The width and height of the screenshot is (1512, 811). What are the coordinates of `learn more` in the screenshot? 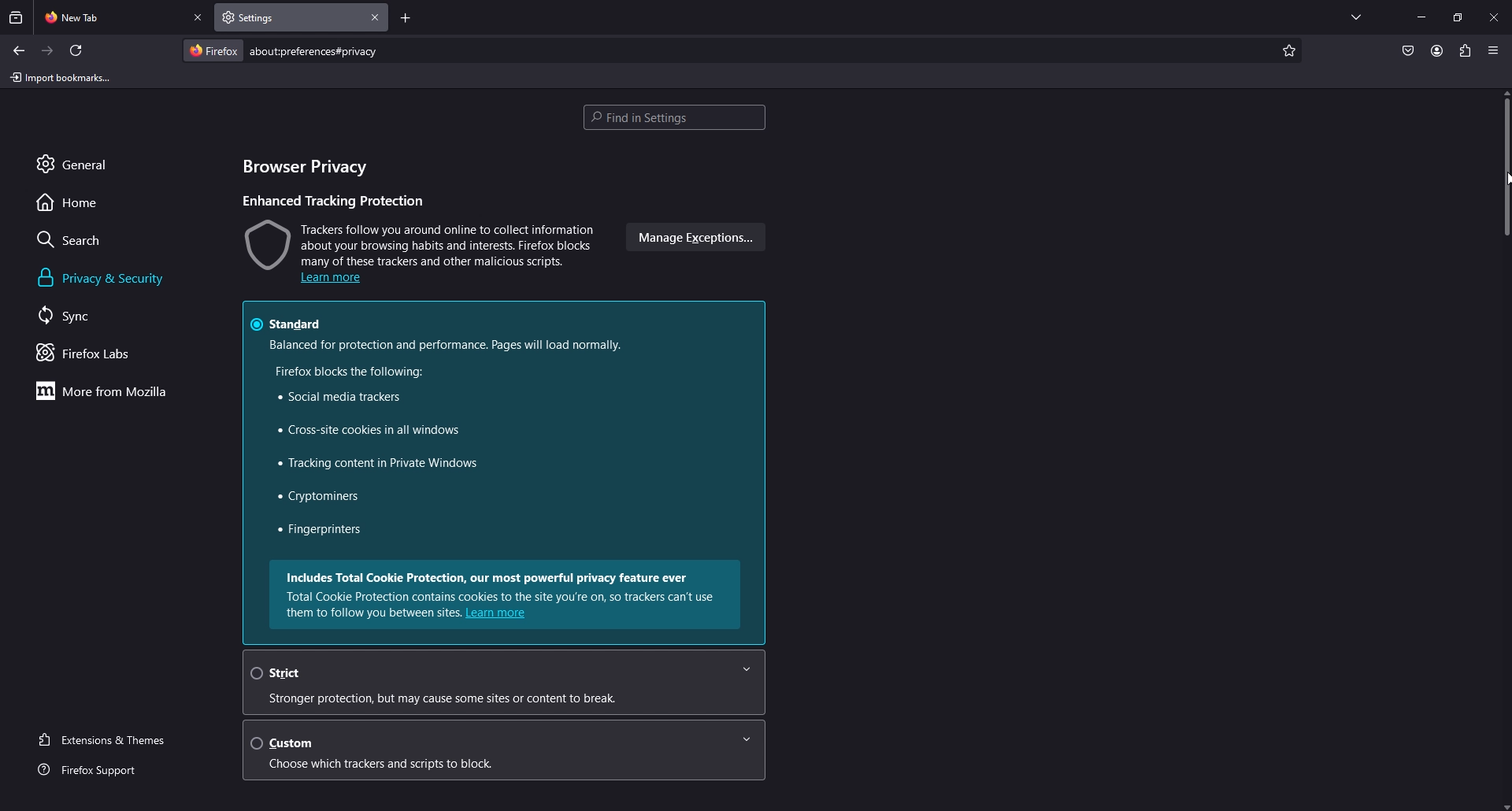 It's located at (500, 615).